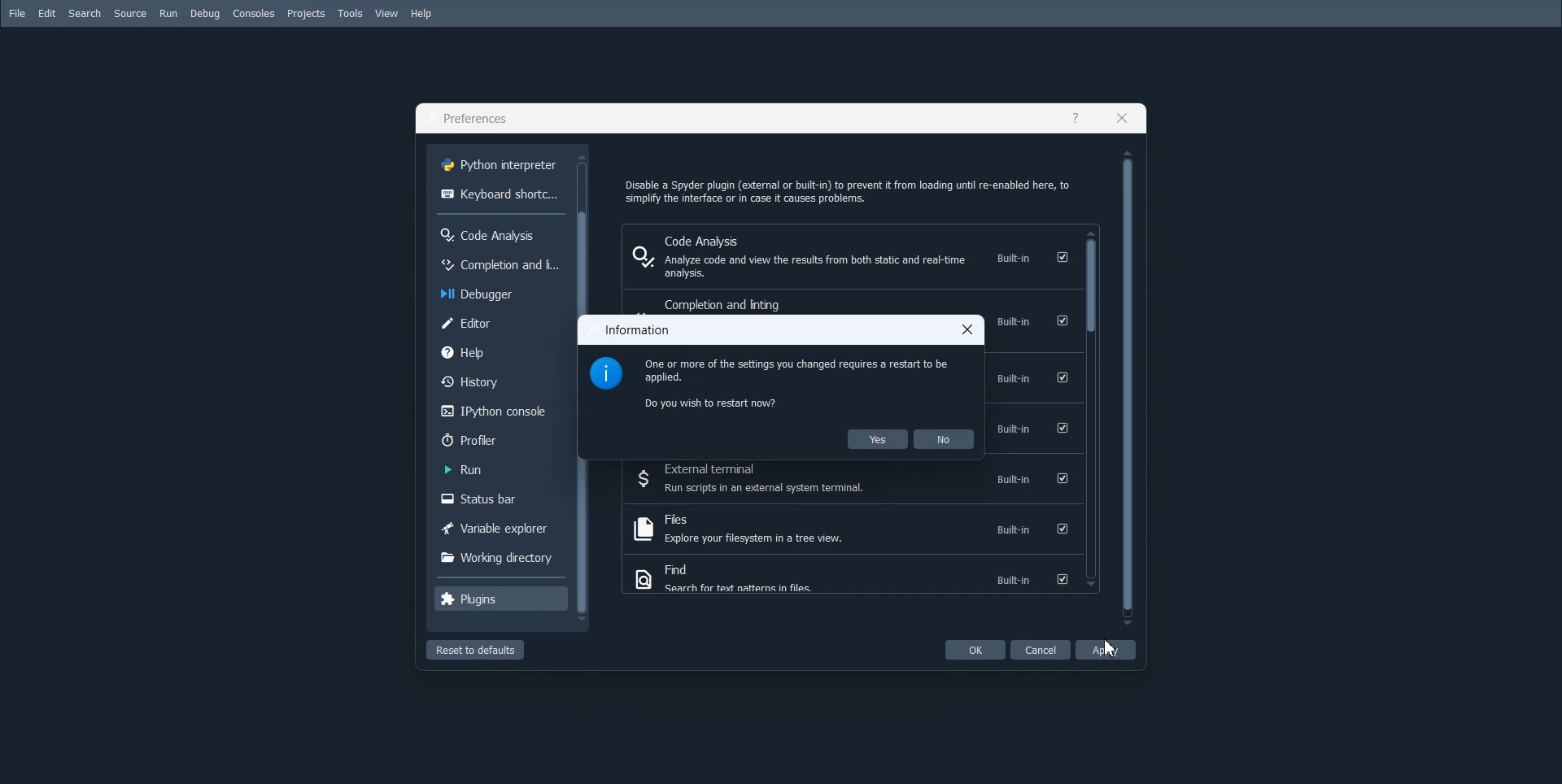 The height and width of the screenshot is (784, 1562). I want to click on Vertical scroll bar, so click(1128, 385).